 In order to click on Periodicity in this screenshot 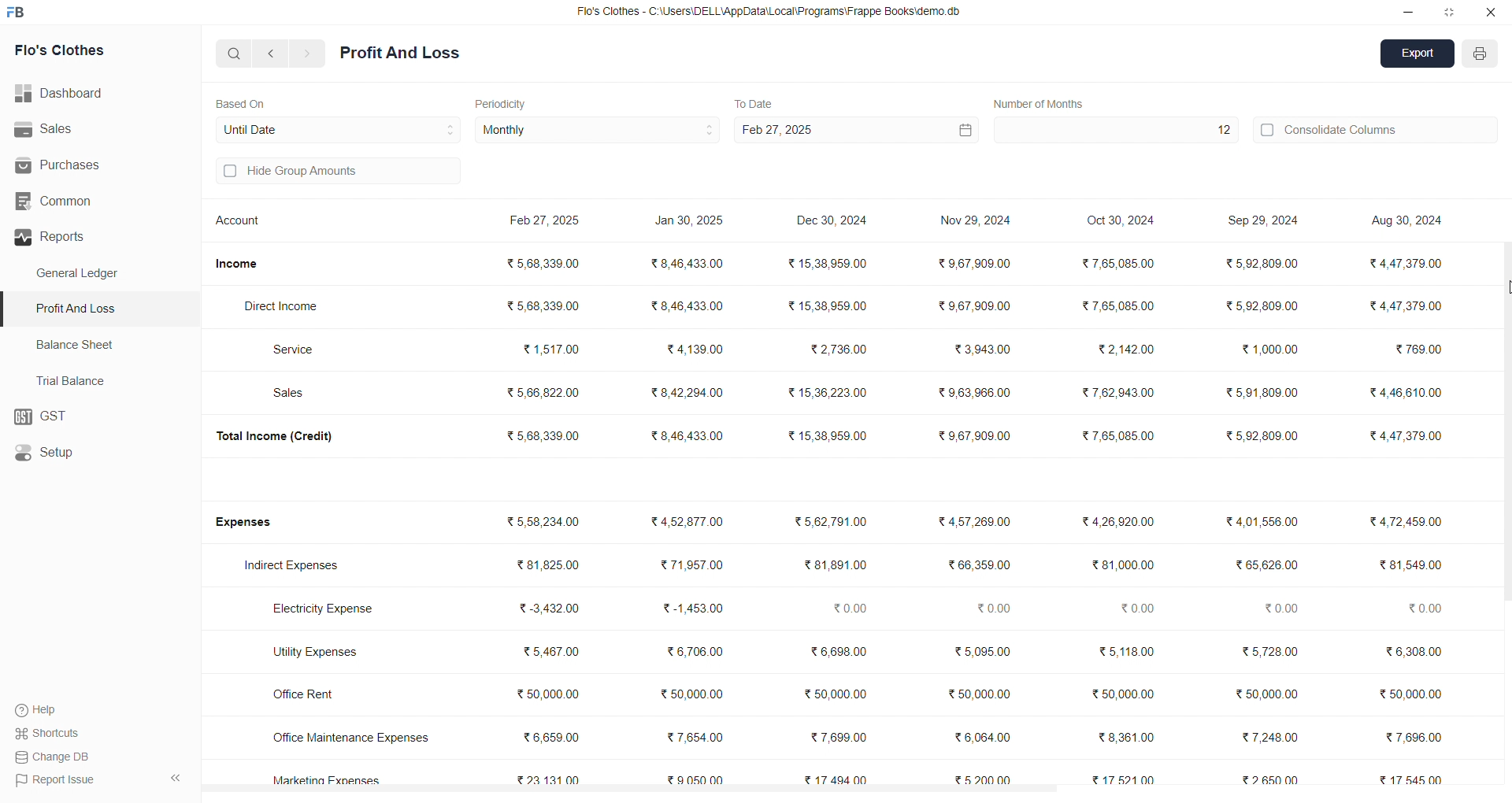, I will do `click(504, 102)`.